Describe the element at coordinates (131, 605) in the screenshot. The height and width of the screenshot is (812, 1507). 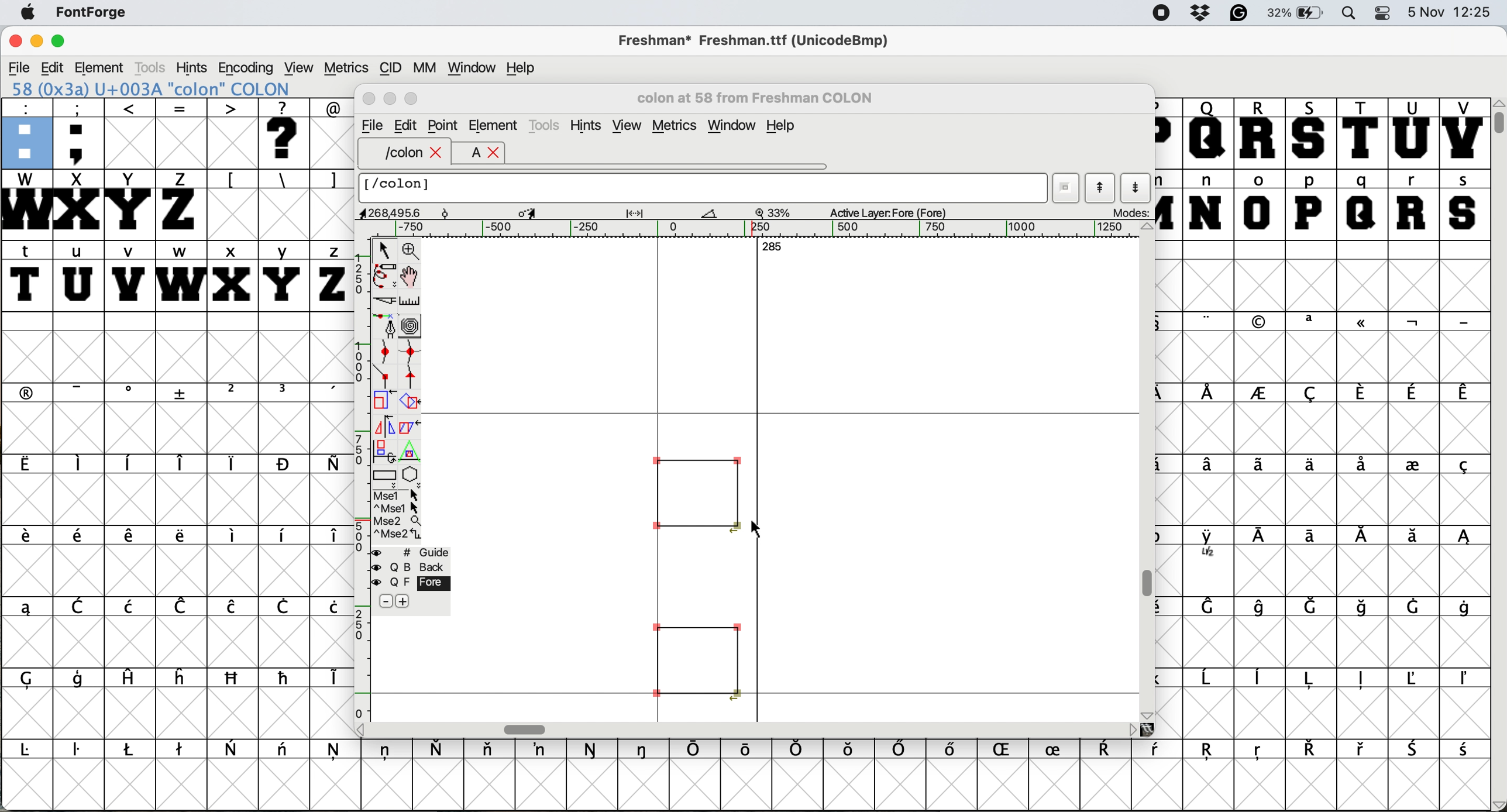
I see `symbol` at that location.